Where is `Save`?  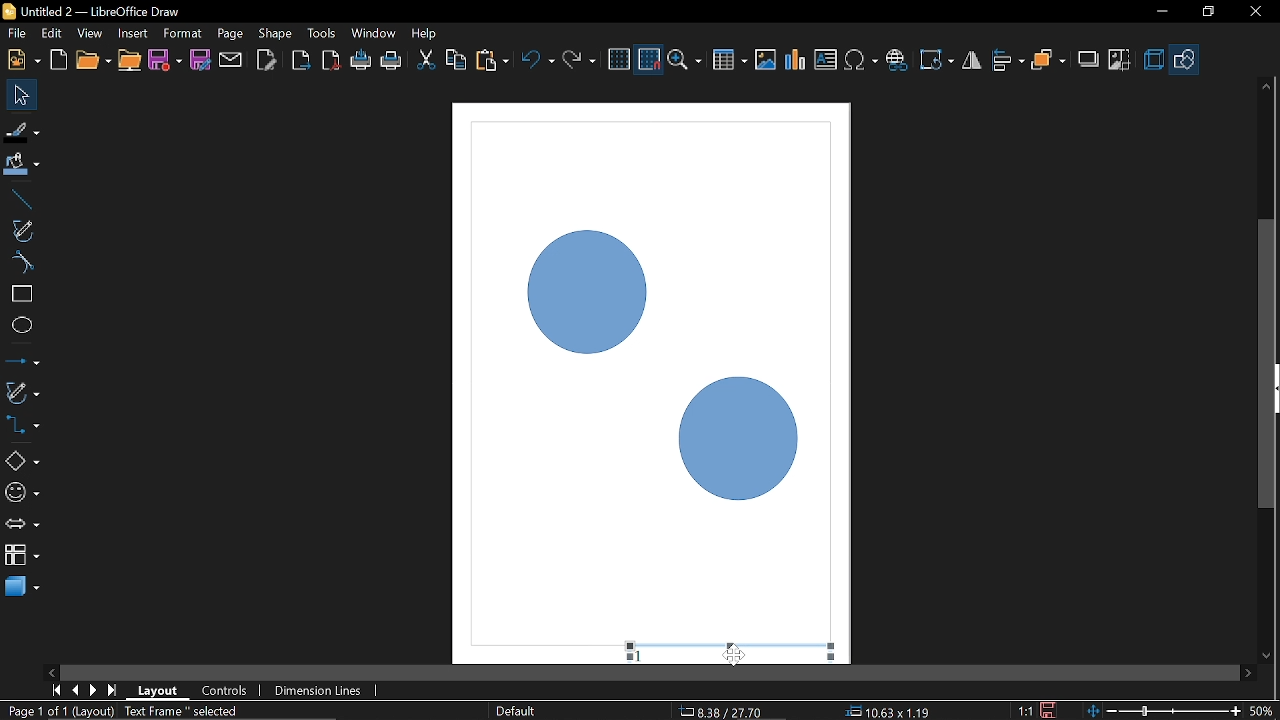 Save is located at coordinates (1051, 710).